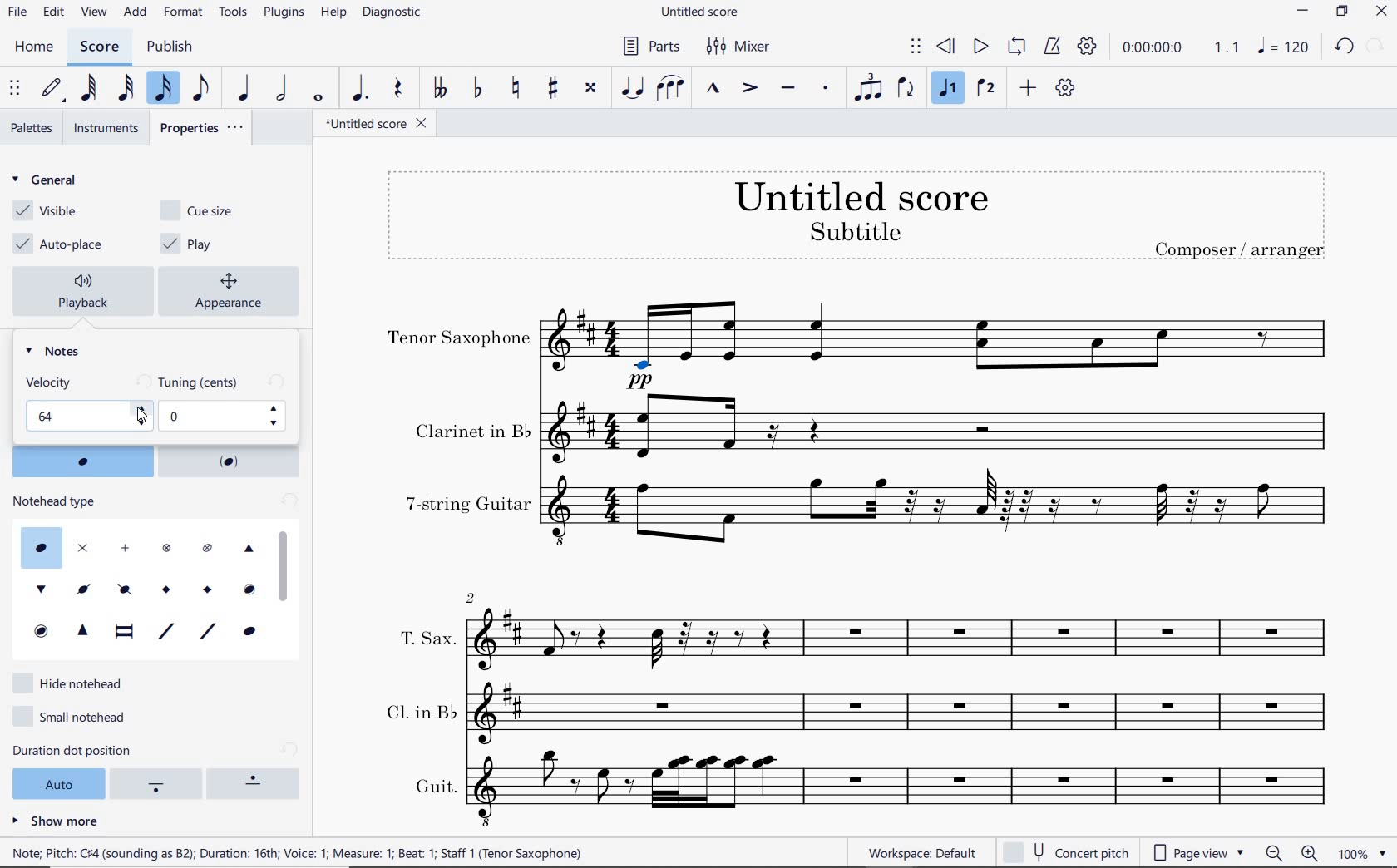 This screenshot has height=868, width=1397. I want to click on FILE NAME, so click(699, 13).